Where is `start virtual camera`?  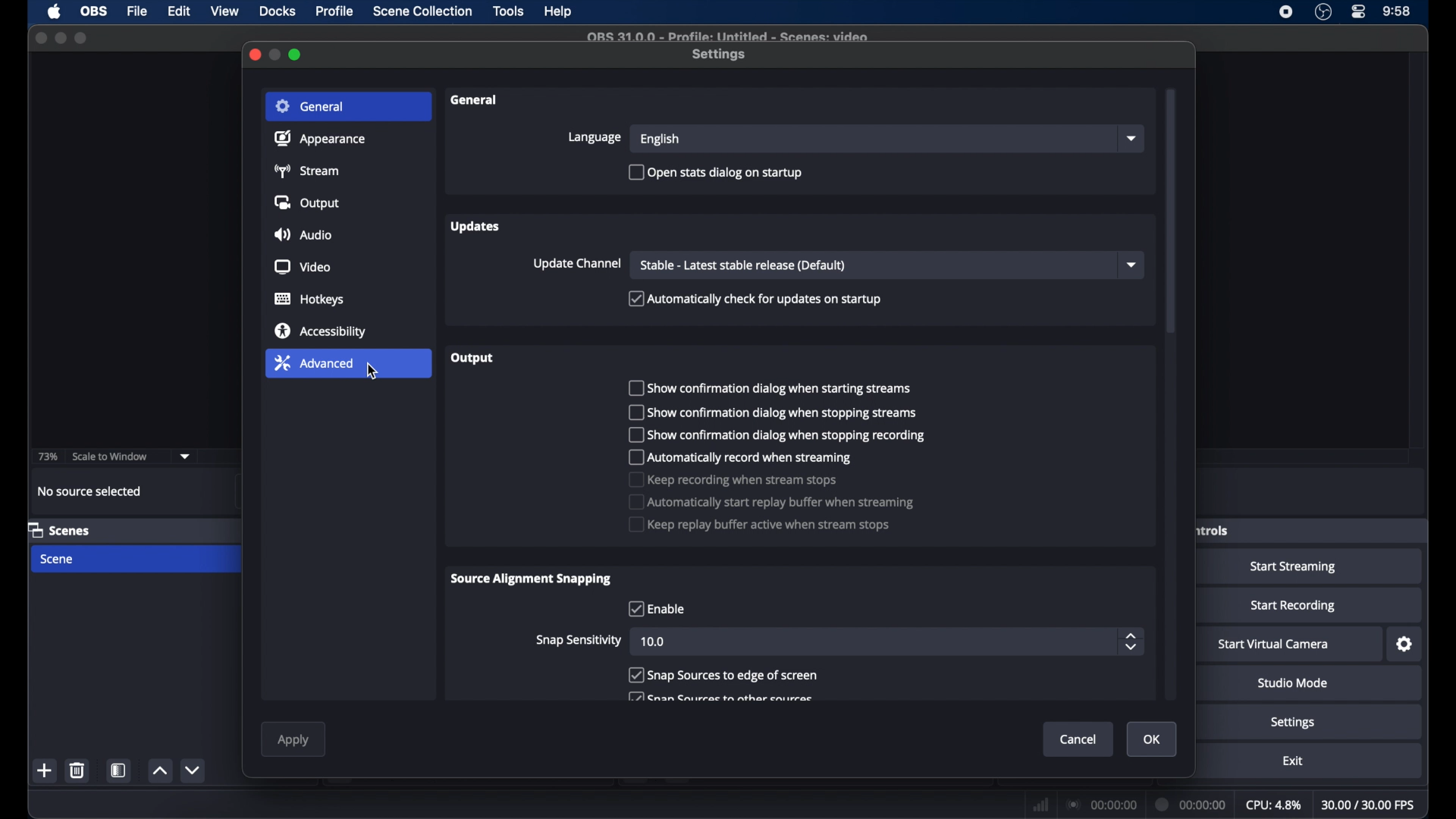
start virtual camera is located at coordinates (1274, 645).